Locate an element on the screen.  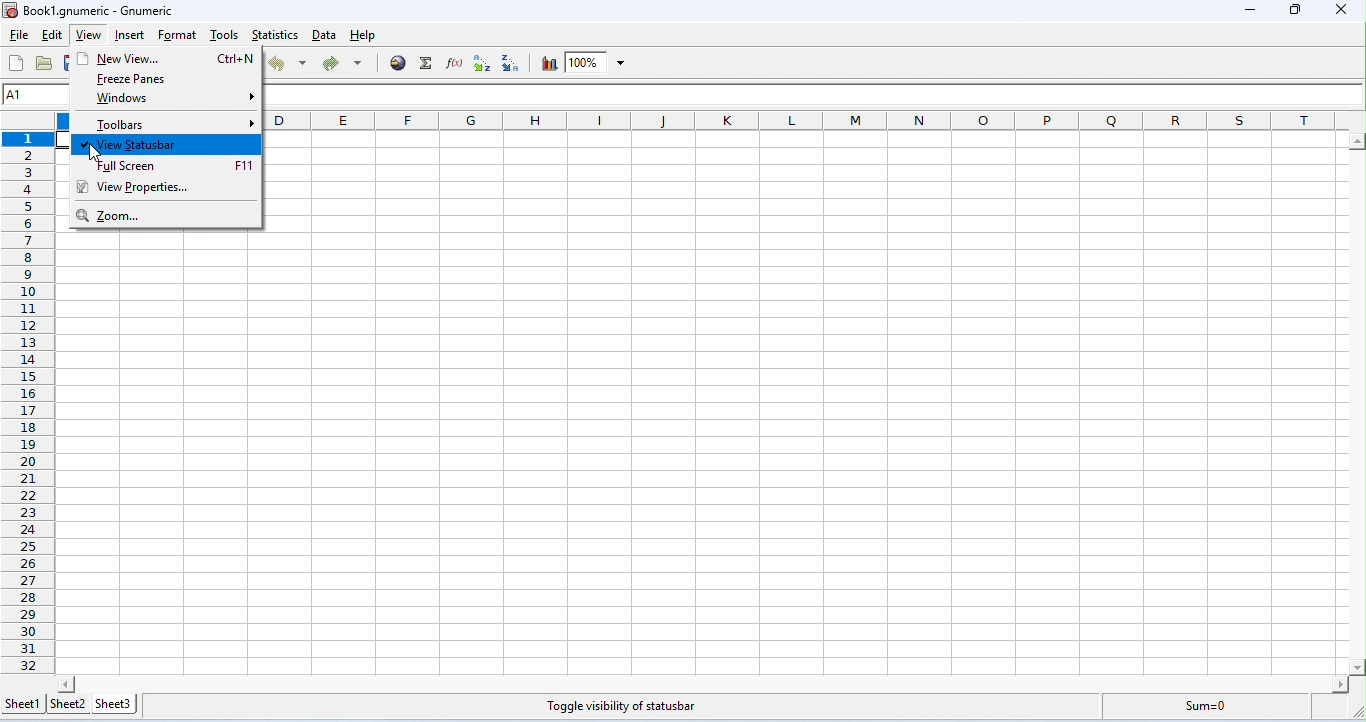
space for horizontal scroll bar is located at coordinates (705, 684).